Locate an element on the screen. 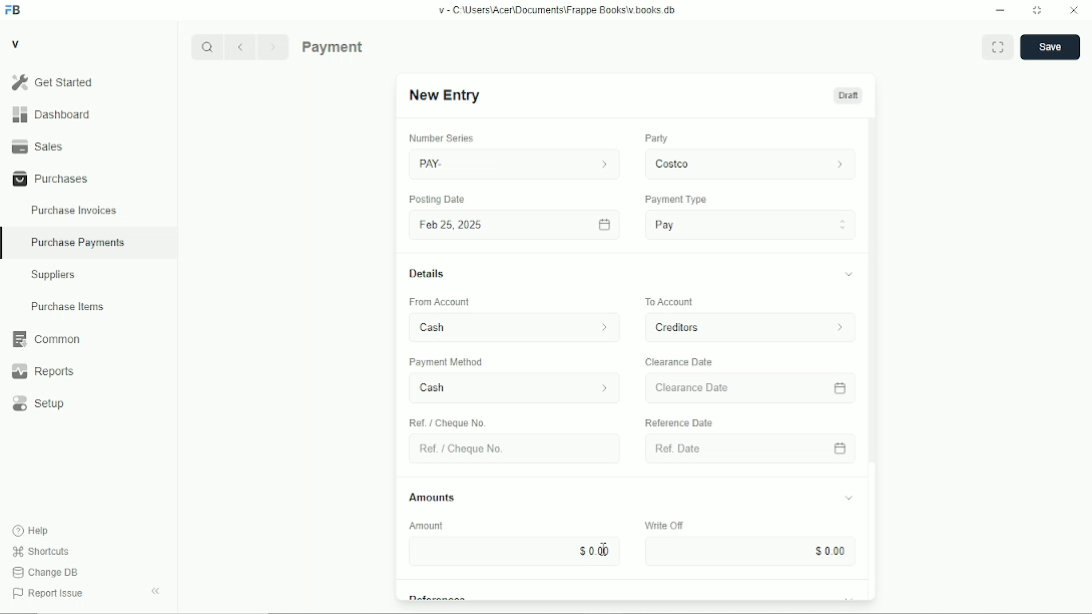 The width and height of the screenshot is (1092, 614). cursor is located at coordinates (603, 550).